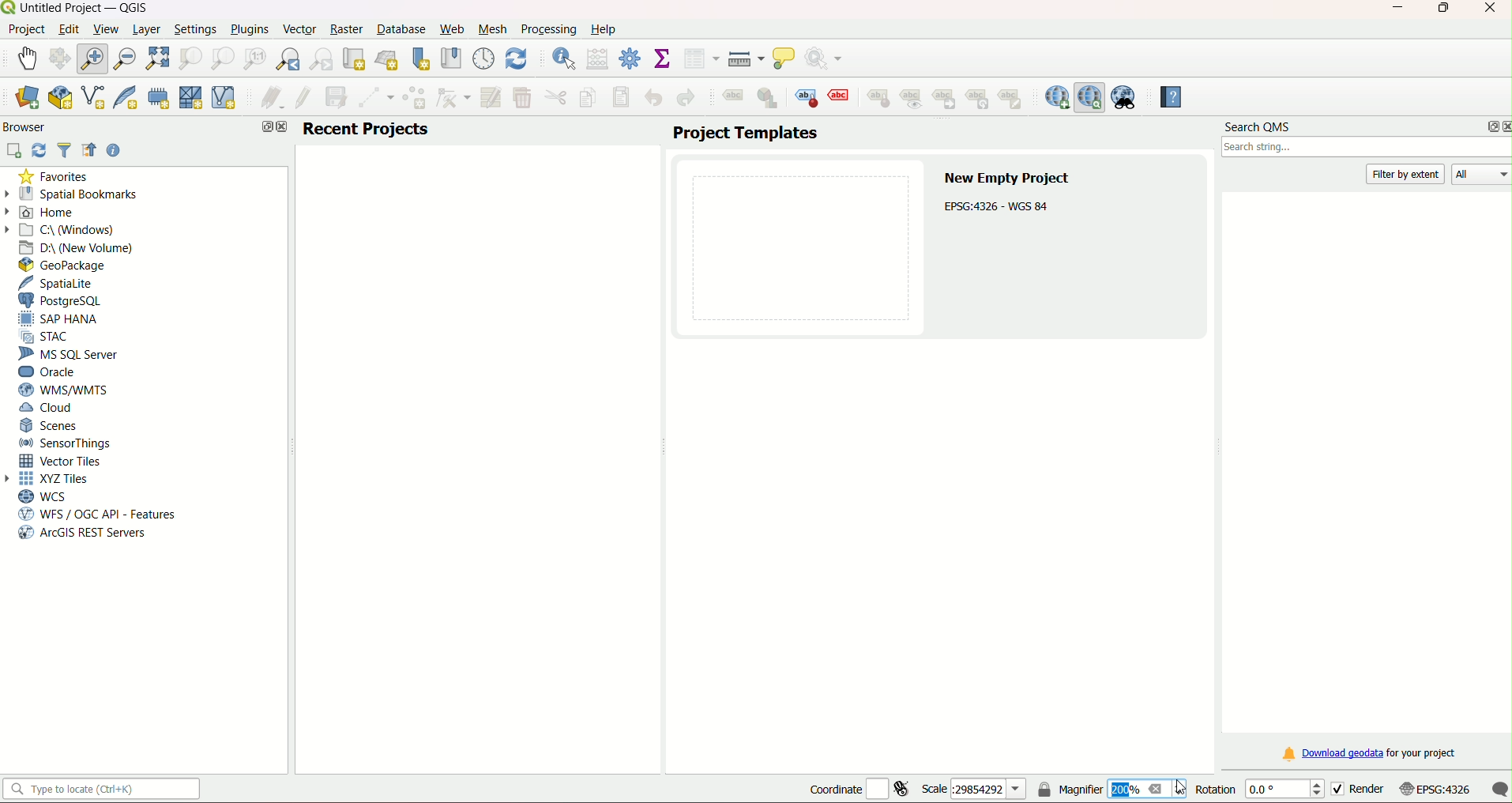 This screenshot has height=803, width=1512. What do you see at coordinates (555, 98) in the screenshot?
I see `cut features` at bounding box center [555, 98].